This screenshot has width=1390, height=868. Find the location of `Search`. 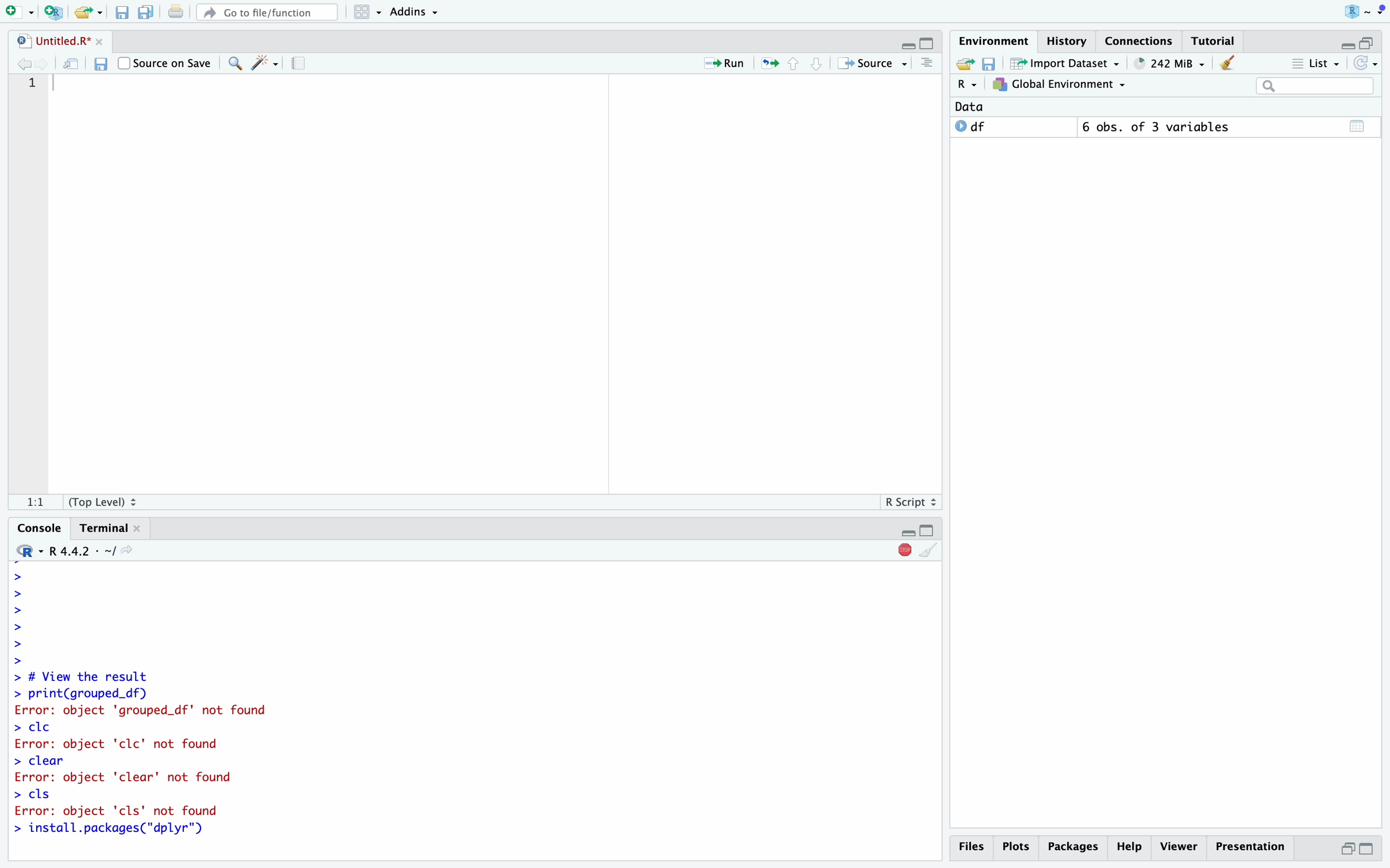

Search is located at coordinates (1317, 86).